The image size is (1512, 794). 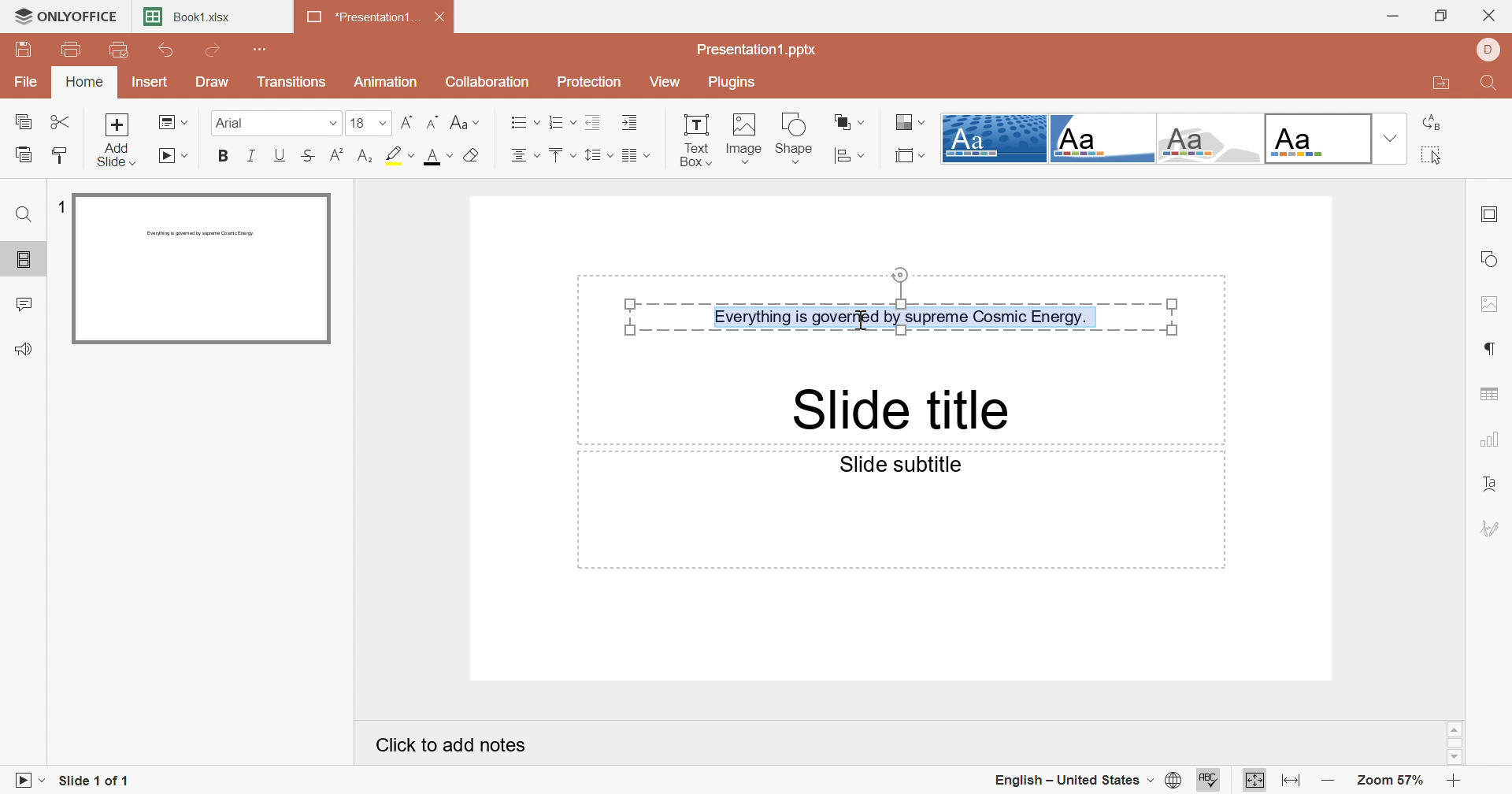 What do you see at coordinates (736, 83) in the screenshot?
I see `Plugins` at bounding box center [736, 83].